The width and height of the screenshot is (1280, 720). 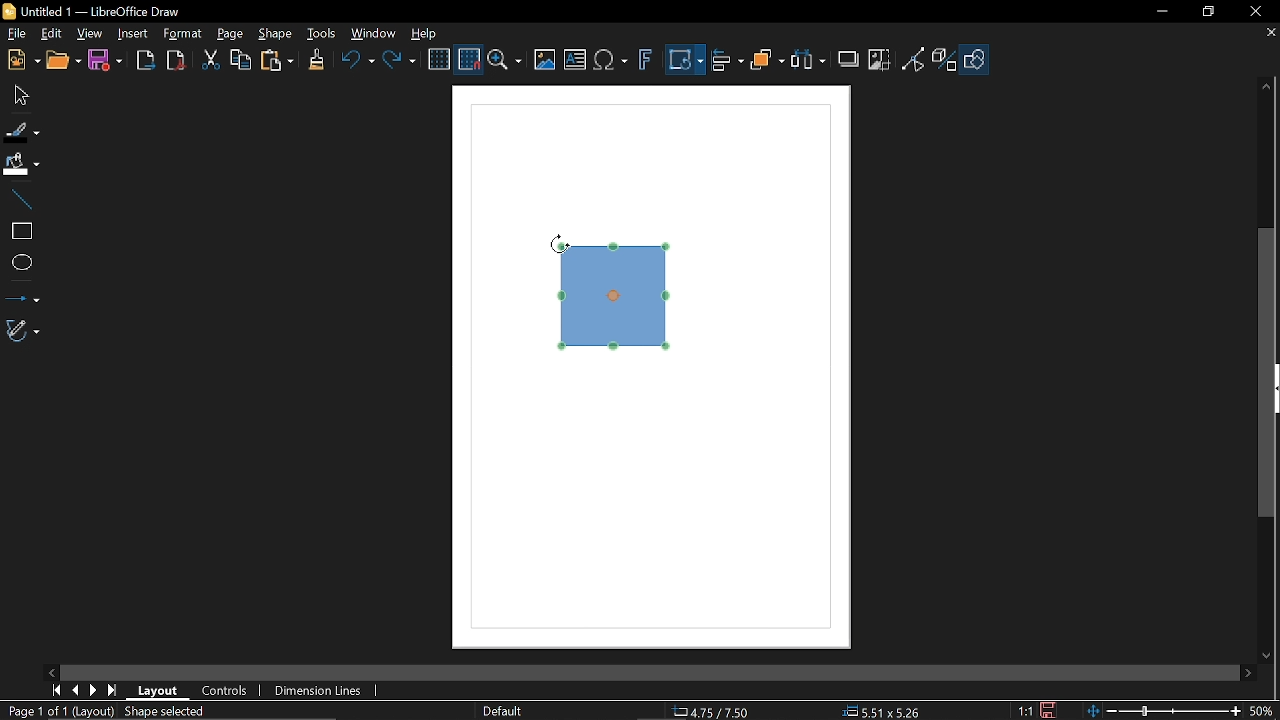 I want to click on Edit, so click(x=50, y=35).